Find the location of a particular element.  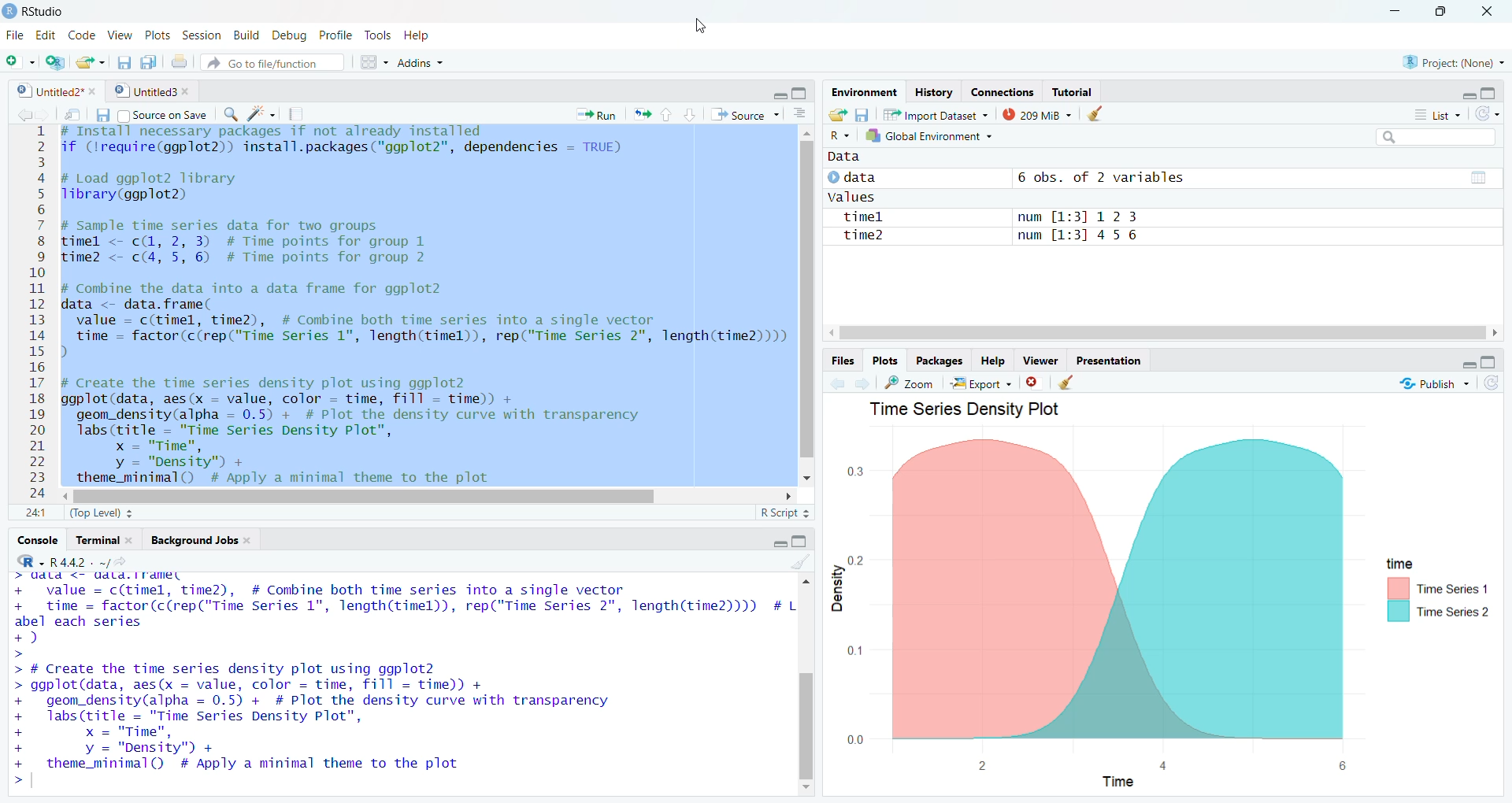

Save is located at coordinates (124, 62).